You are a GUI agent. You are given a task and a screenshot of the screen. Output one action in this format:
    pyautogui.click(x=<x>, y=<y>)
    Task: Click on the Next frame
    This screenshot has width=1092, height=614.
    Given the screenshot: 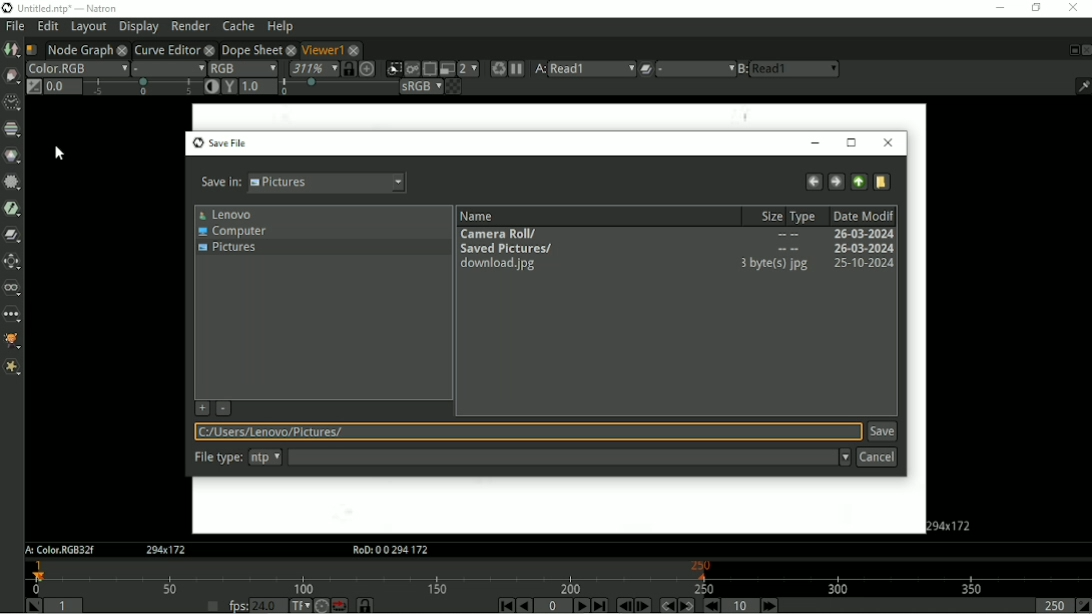 What is the action you would take?
    pyautogui.click(x=643, y=606)
    